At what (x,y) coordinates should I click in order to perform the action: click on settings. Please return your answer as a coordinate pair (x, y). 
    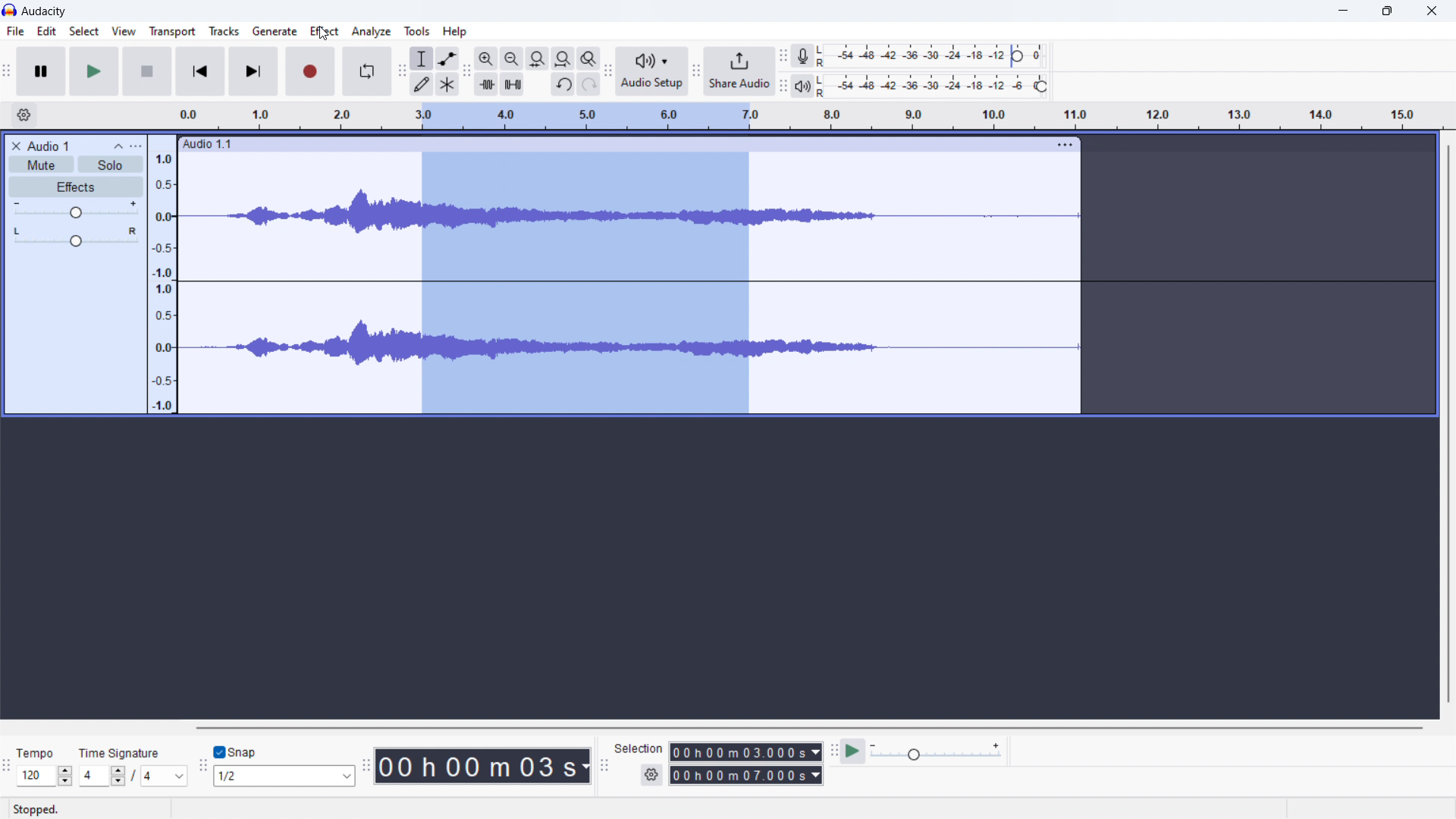
    Looking at the image, I should click on (651, 776).